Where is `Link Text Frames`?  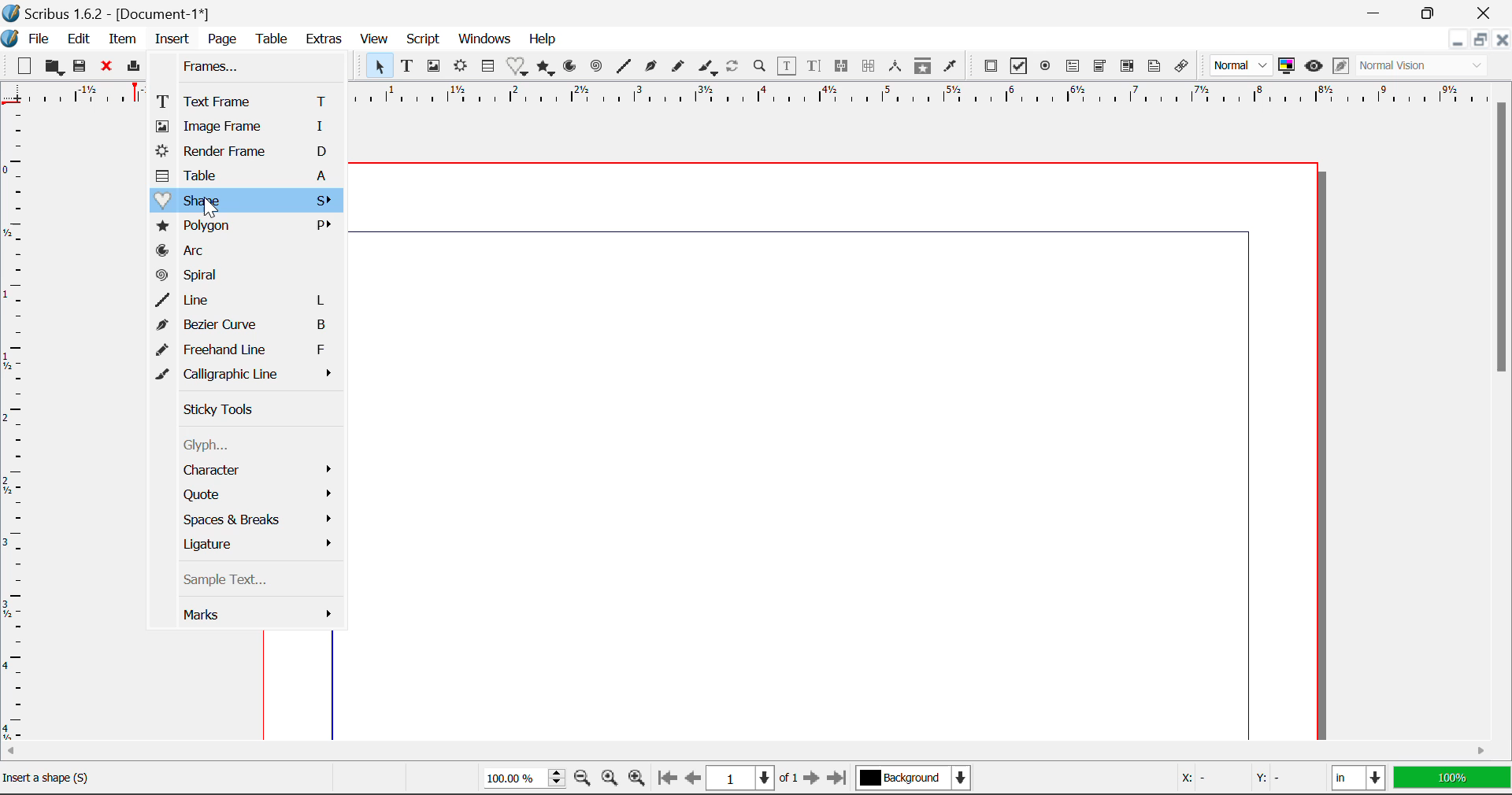 Link Text Frames is located at coordinates (844, 65).